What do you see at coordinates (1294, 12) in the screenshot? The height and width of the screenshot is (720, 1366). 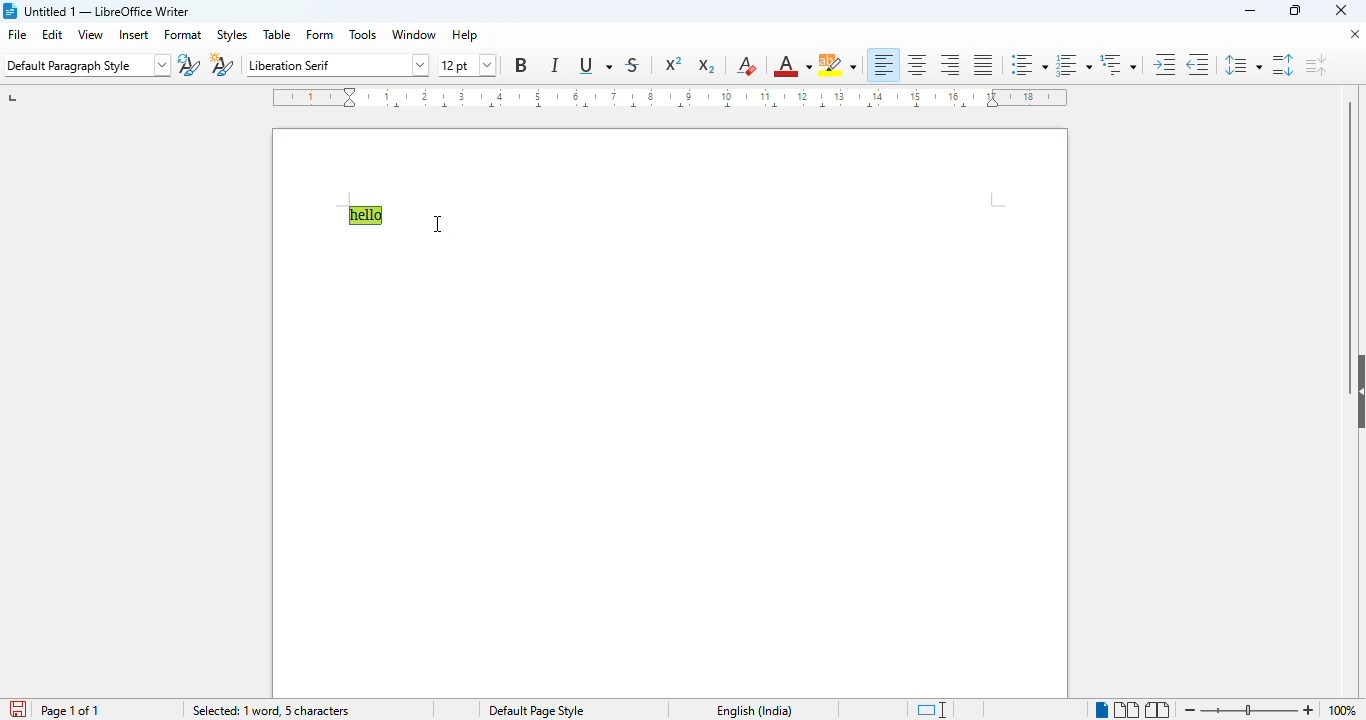 I see `maximize` at bounding box center [1294, 12].